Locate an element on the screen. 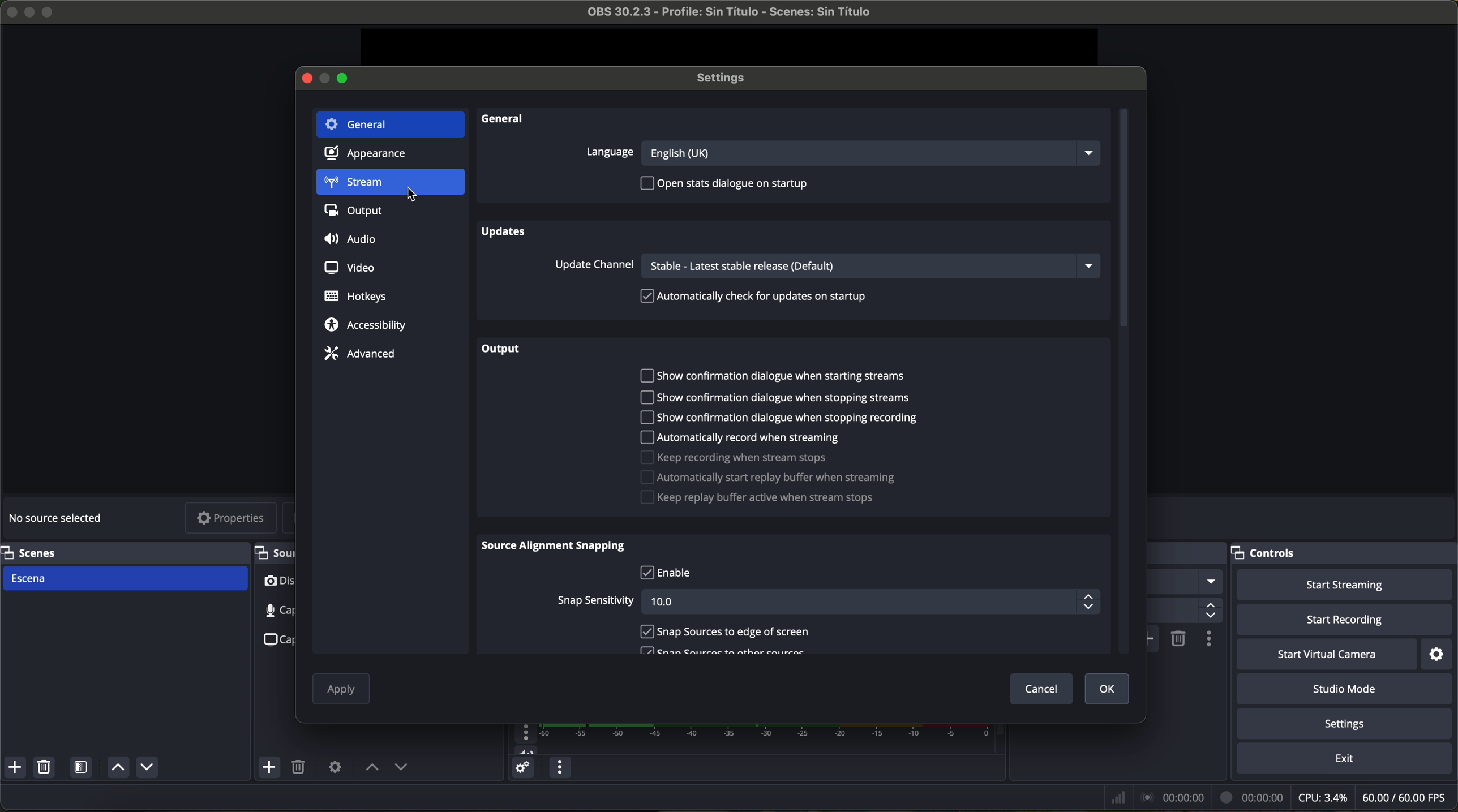 Image resolution: width=1458 pixels, height=812 pixels. show confirmation dialogue when stopping streams is located at coordinates (778, 398).